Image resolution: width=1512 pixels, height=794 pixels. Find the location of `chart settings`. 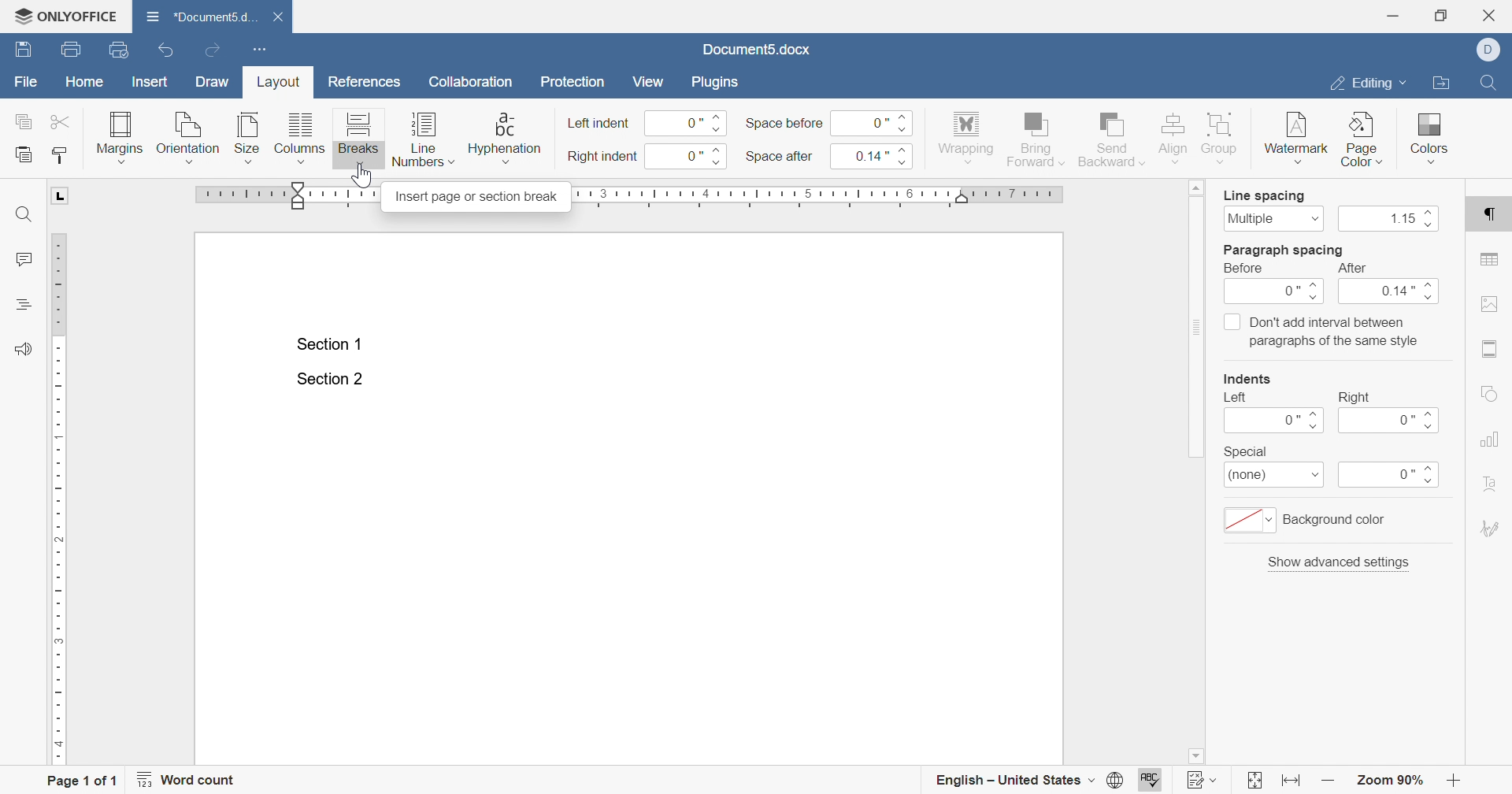

chart settings is located at coordinates (1488, 439).